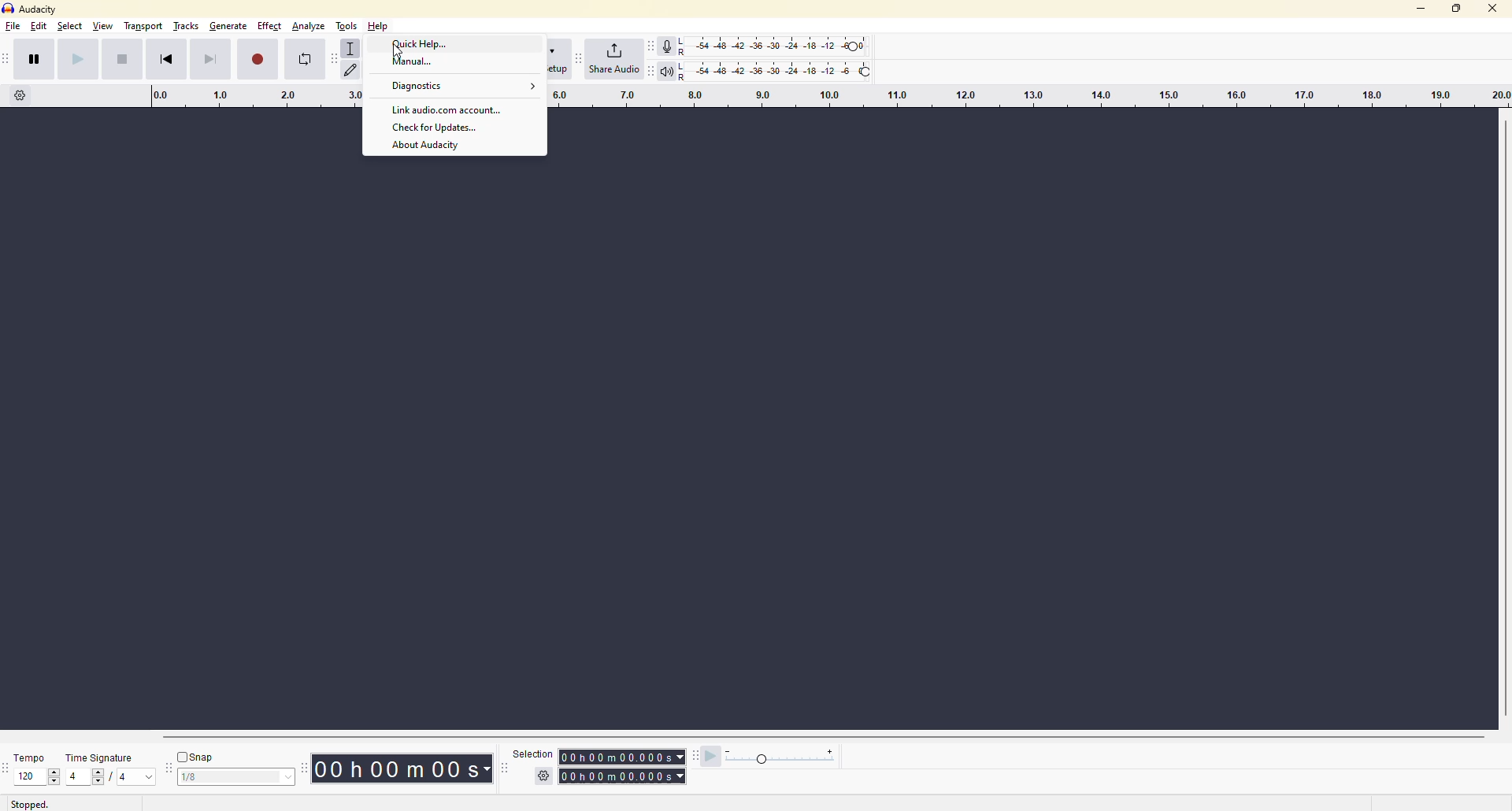  Describe the element at coordinates (535, 750) in the screenshot. I see `selection` at that location.